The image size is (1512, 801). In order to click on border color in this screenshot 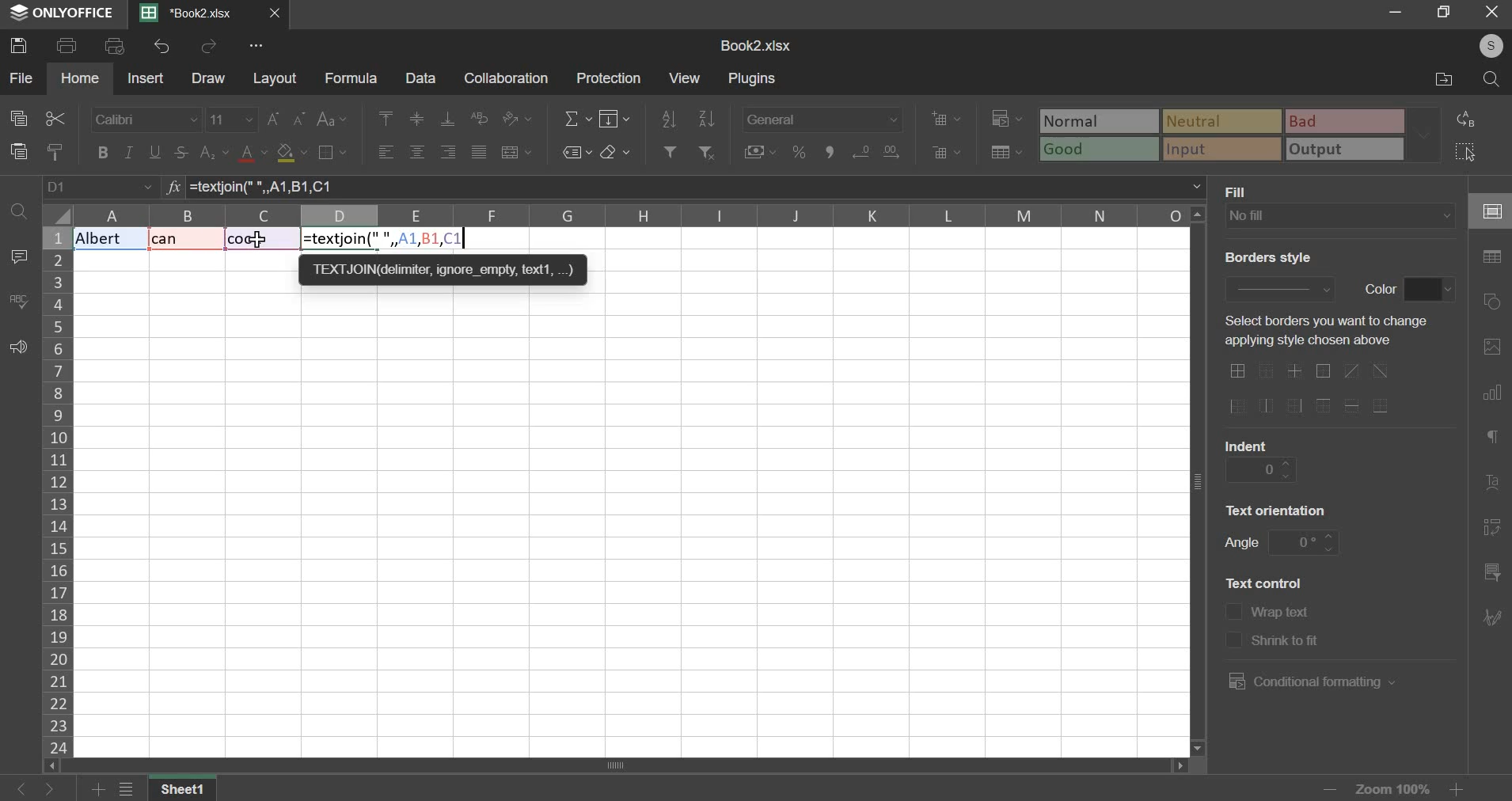, I will do `click(1430, 290)`.